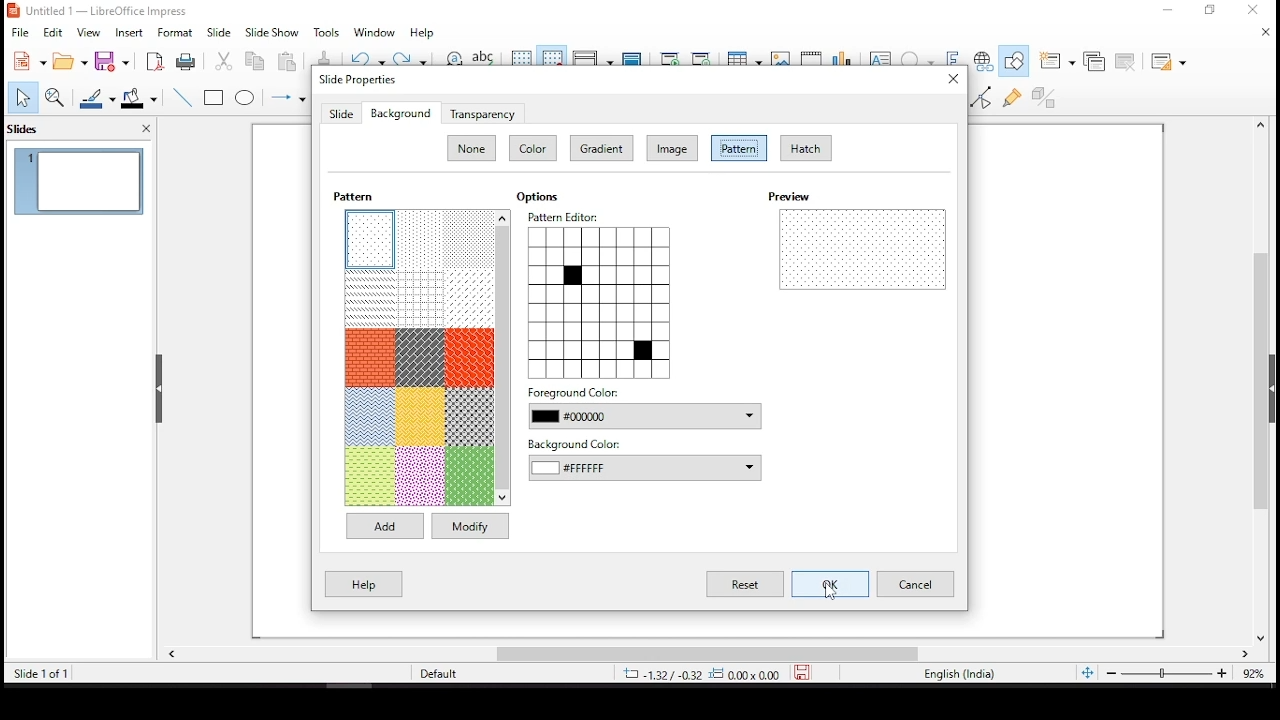 This screenshot has height=720, width=1280. What do you see at coordinates (112, 63) in the screenshot?
I see `save` at bounding box center [112, 63].